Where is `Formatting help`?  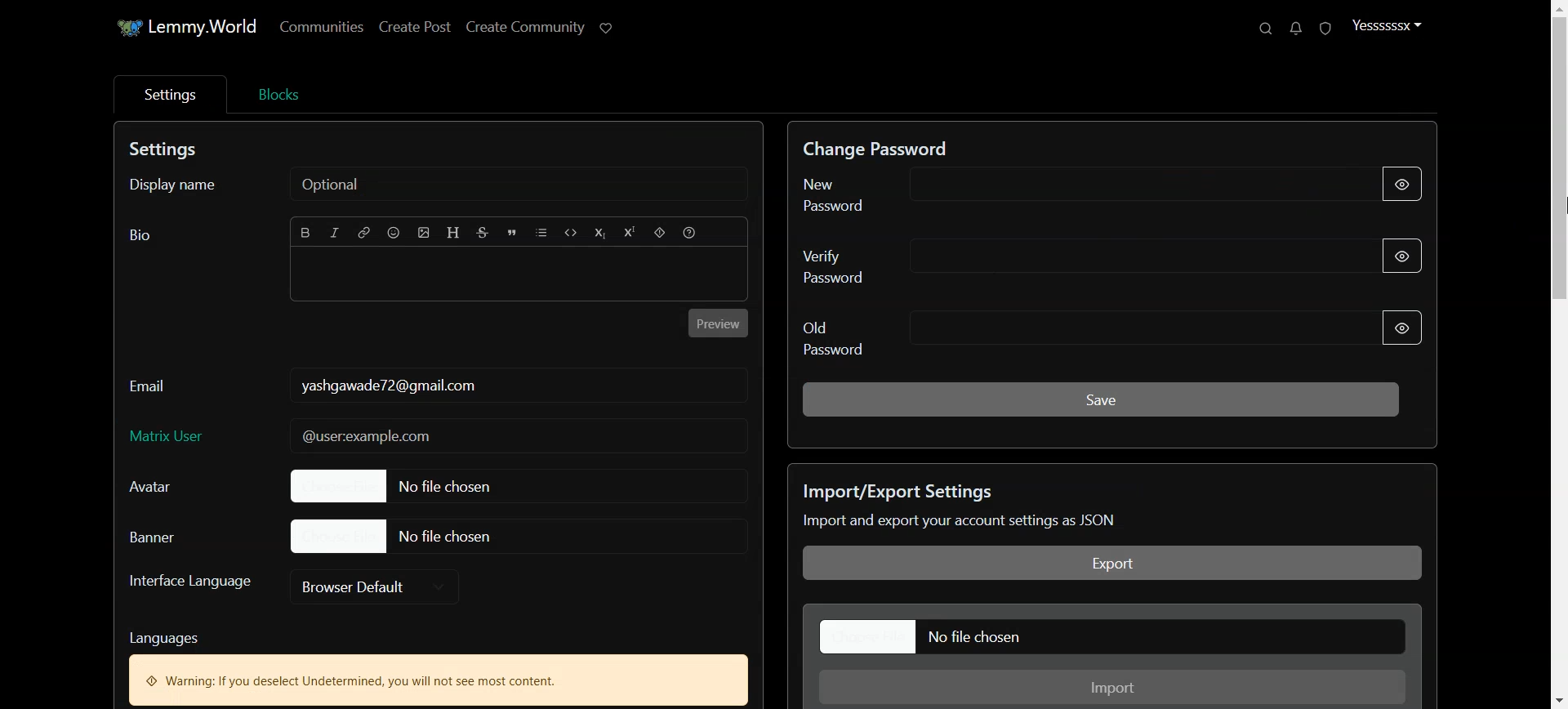
Formatting help is located at coordinates (689, 233).